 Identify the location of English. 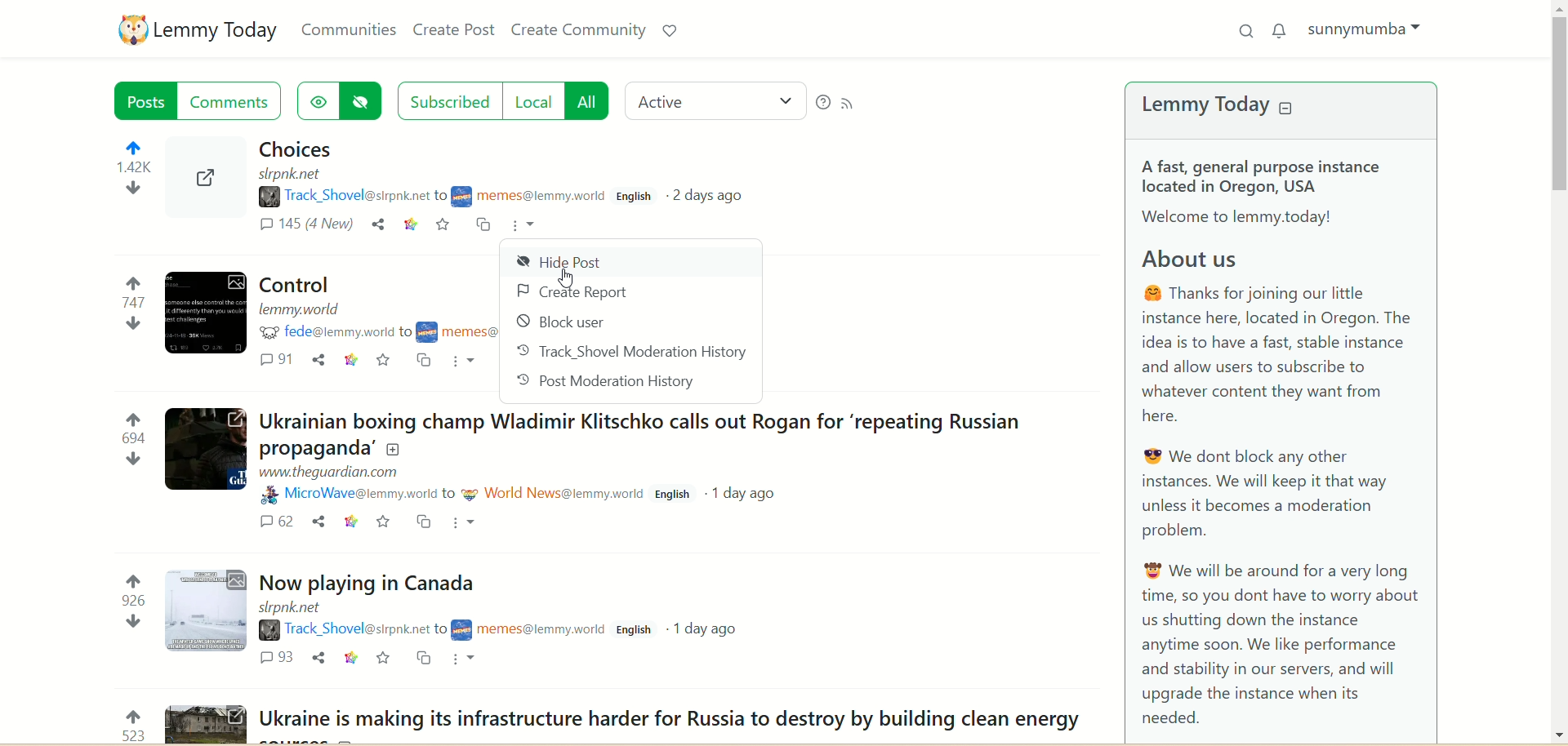
(639, 629).